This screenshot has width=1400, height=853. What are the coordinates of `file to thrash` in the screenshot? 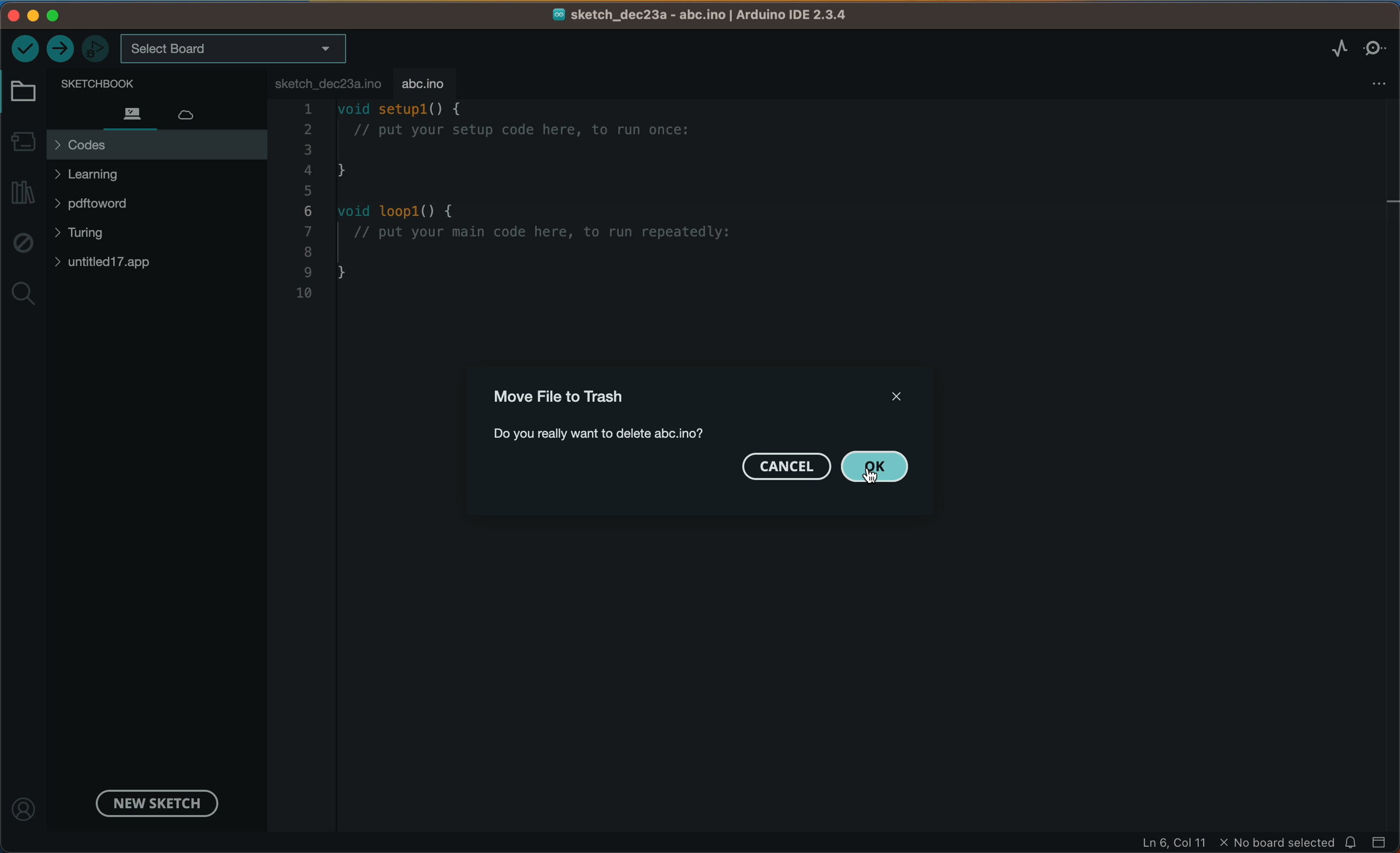 It's located at (573, 396).